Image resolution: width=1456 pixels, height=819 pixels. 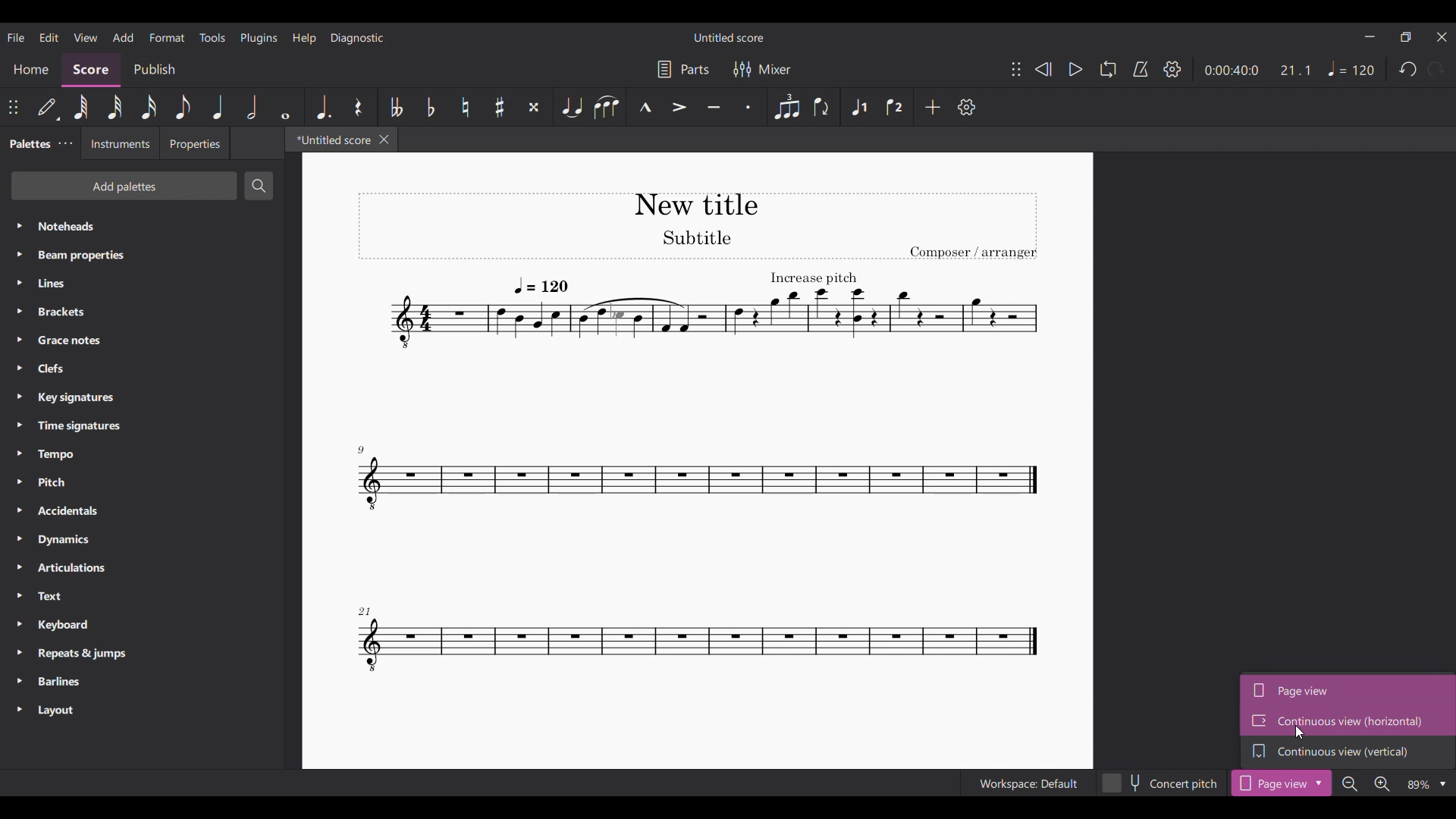 I want to click on Parts settings, so click(x=683, y=68).